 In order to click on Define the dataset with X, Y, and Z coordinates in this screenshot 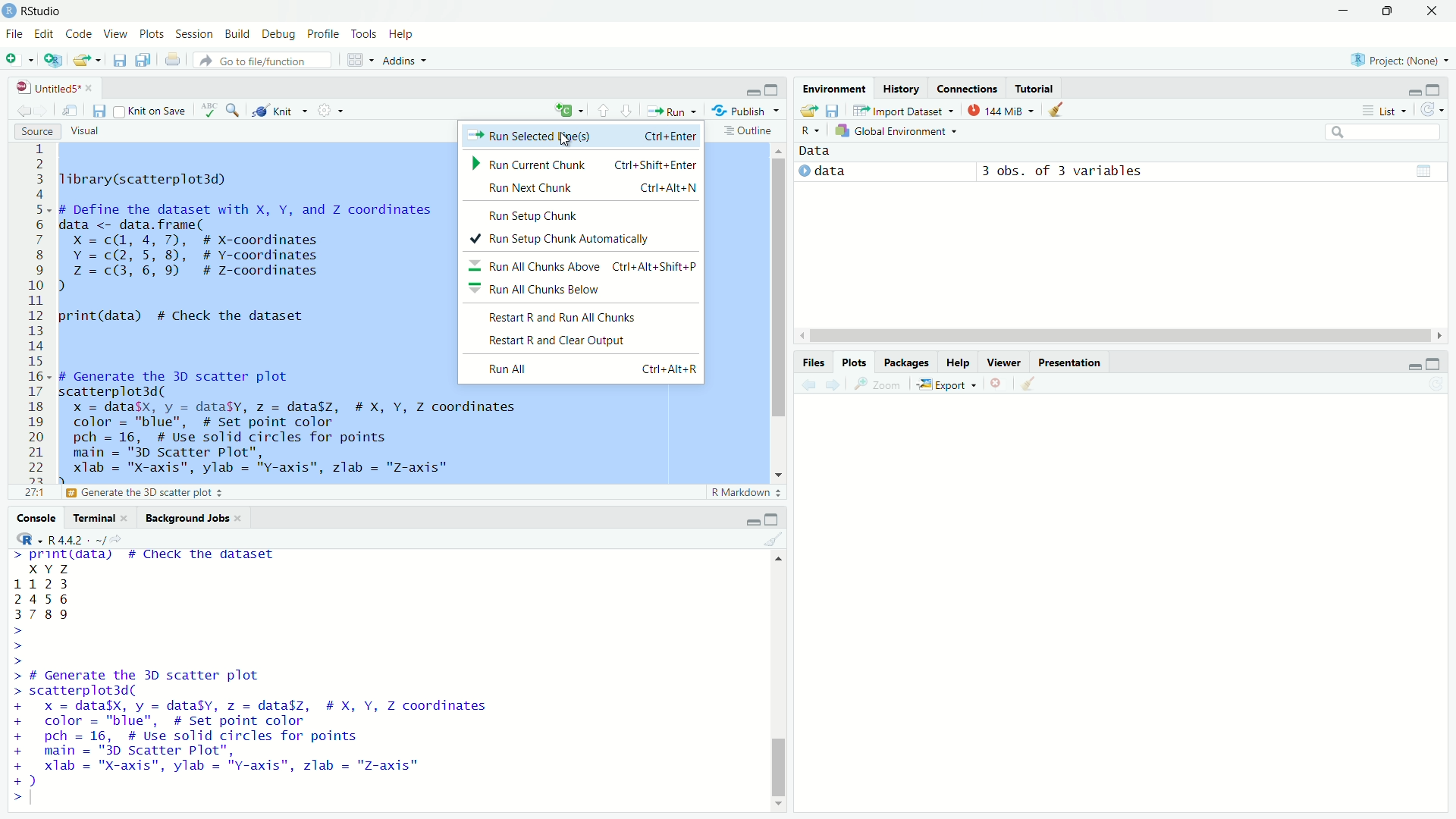, I will do `click(189, 493)`.